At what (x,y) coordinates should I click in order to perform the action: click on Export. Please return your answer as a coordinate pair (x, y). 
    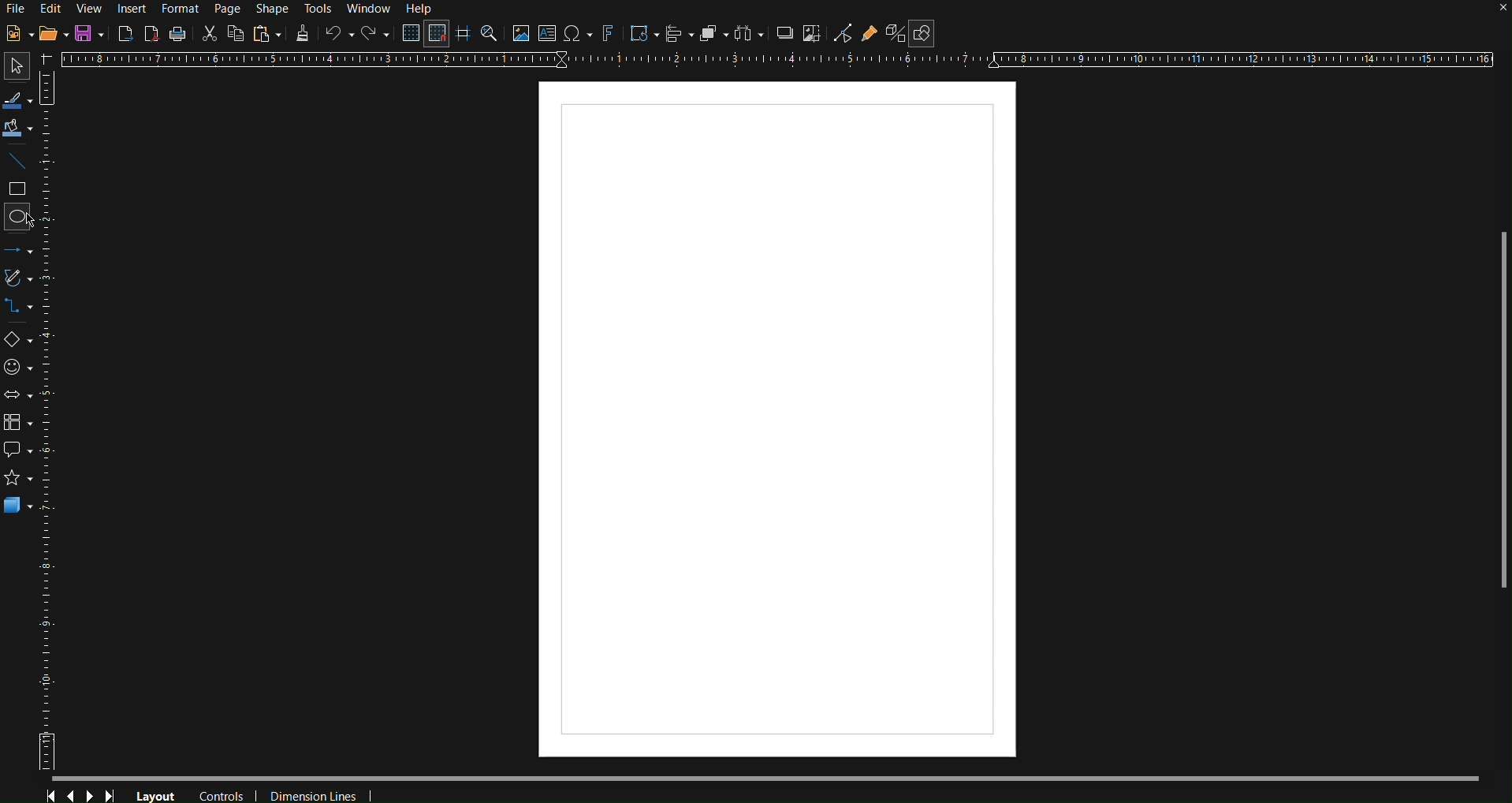
    Looking at the image, I should click on (126, 32).